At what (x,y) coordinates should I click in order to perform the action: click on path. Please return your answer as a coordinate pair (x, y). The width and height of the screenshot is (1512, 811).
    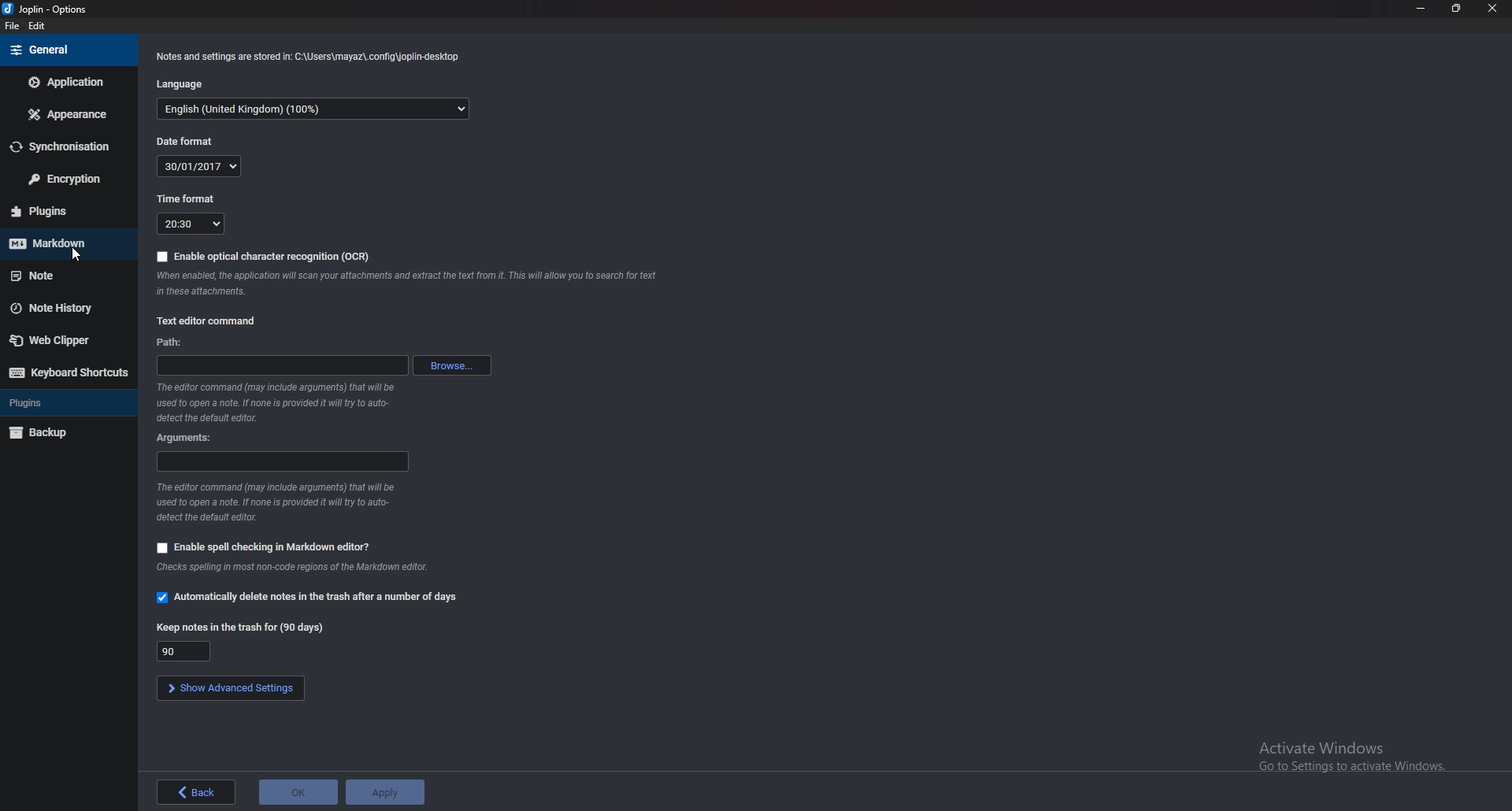
    Looking at the image, I should click on (280, 366).